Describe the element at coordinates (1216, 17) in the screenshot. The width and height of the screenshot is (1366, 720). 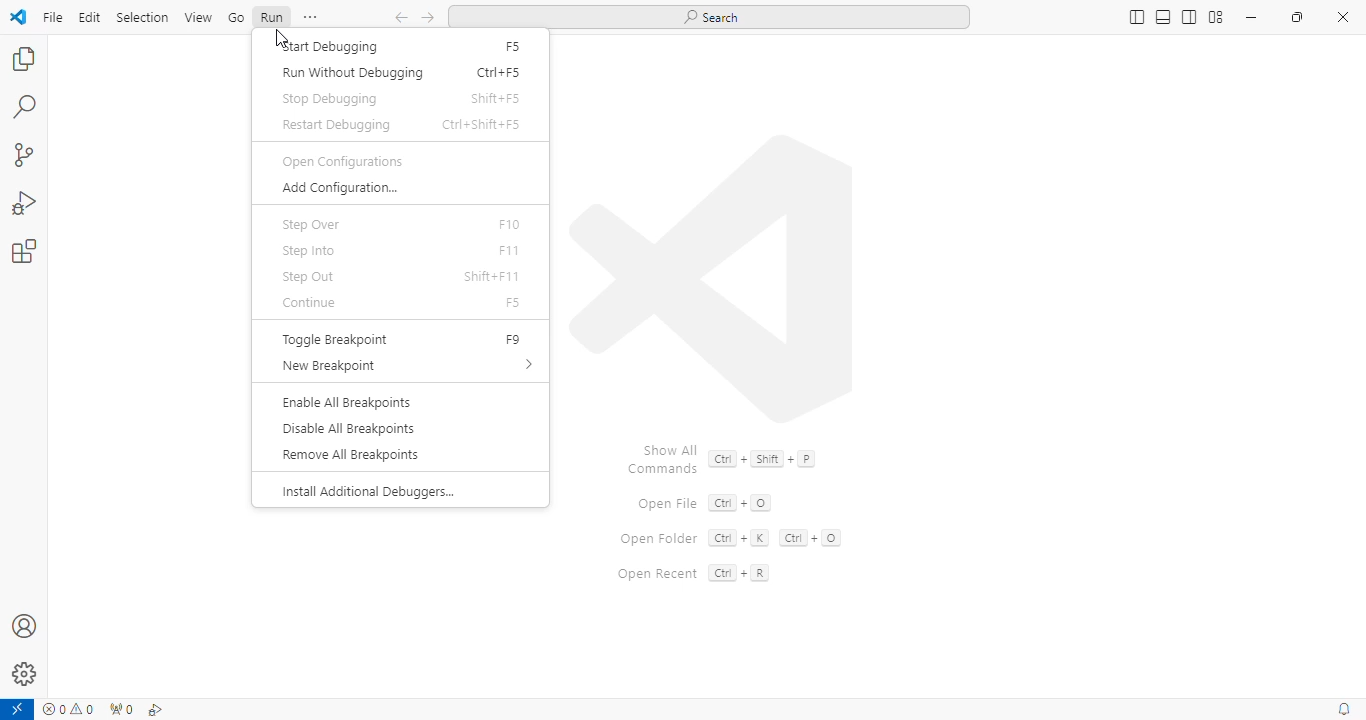
I see `customize layout` at that location.